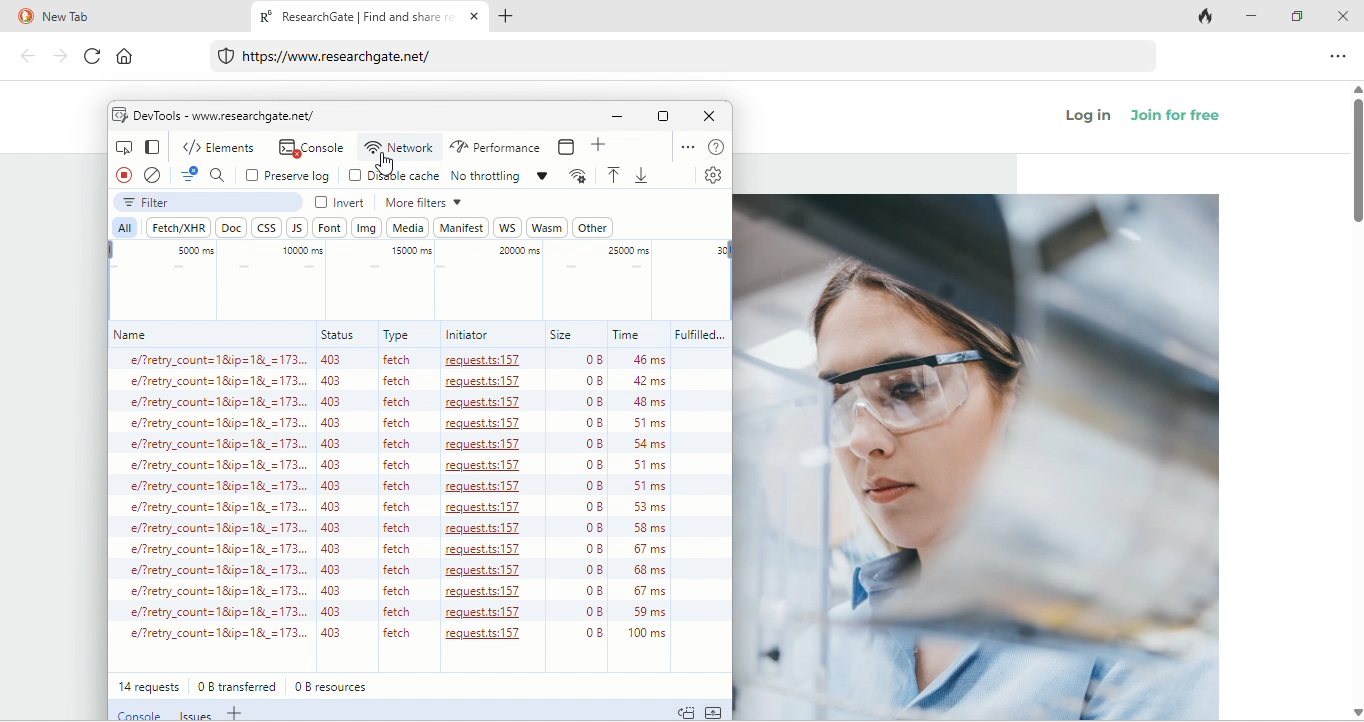 Image resolution: width=1364 pixels, height=722 pixels. I want to click on 14 requests, so click(147, 686).